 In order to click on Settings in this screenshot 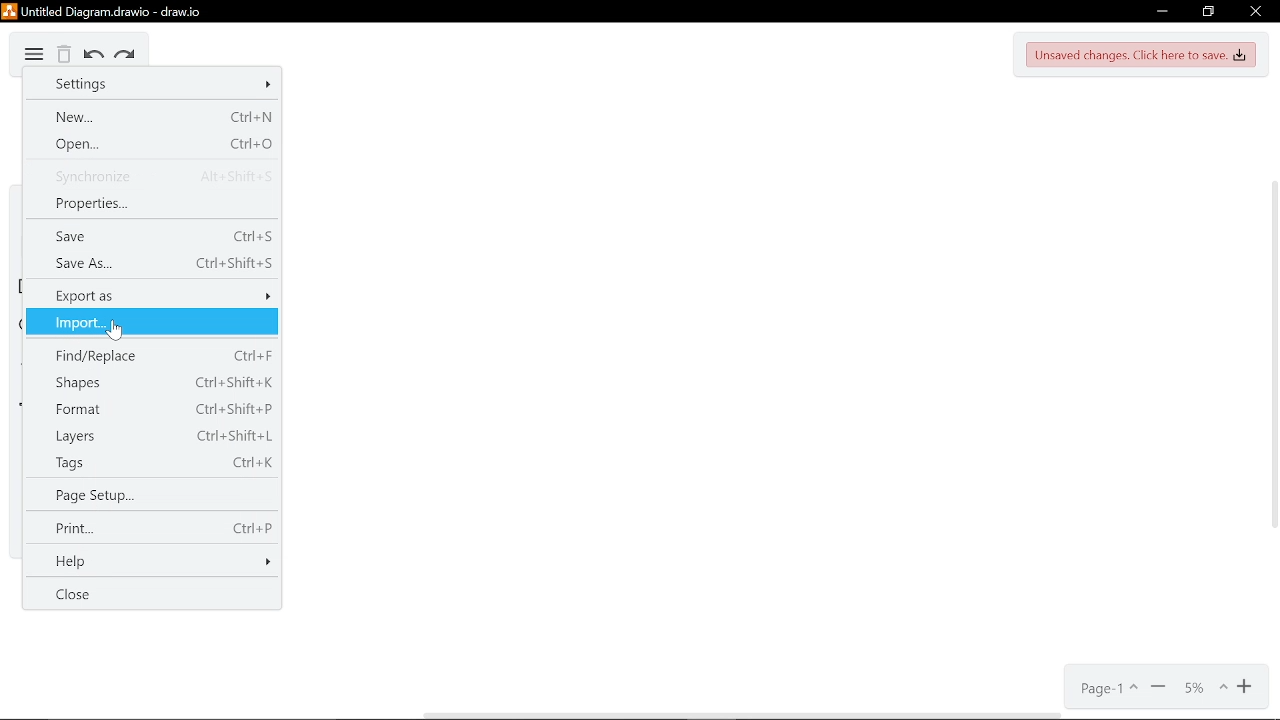, I will do `click(153, 83)`.